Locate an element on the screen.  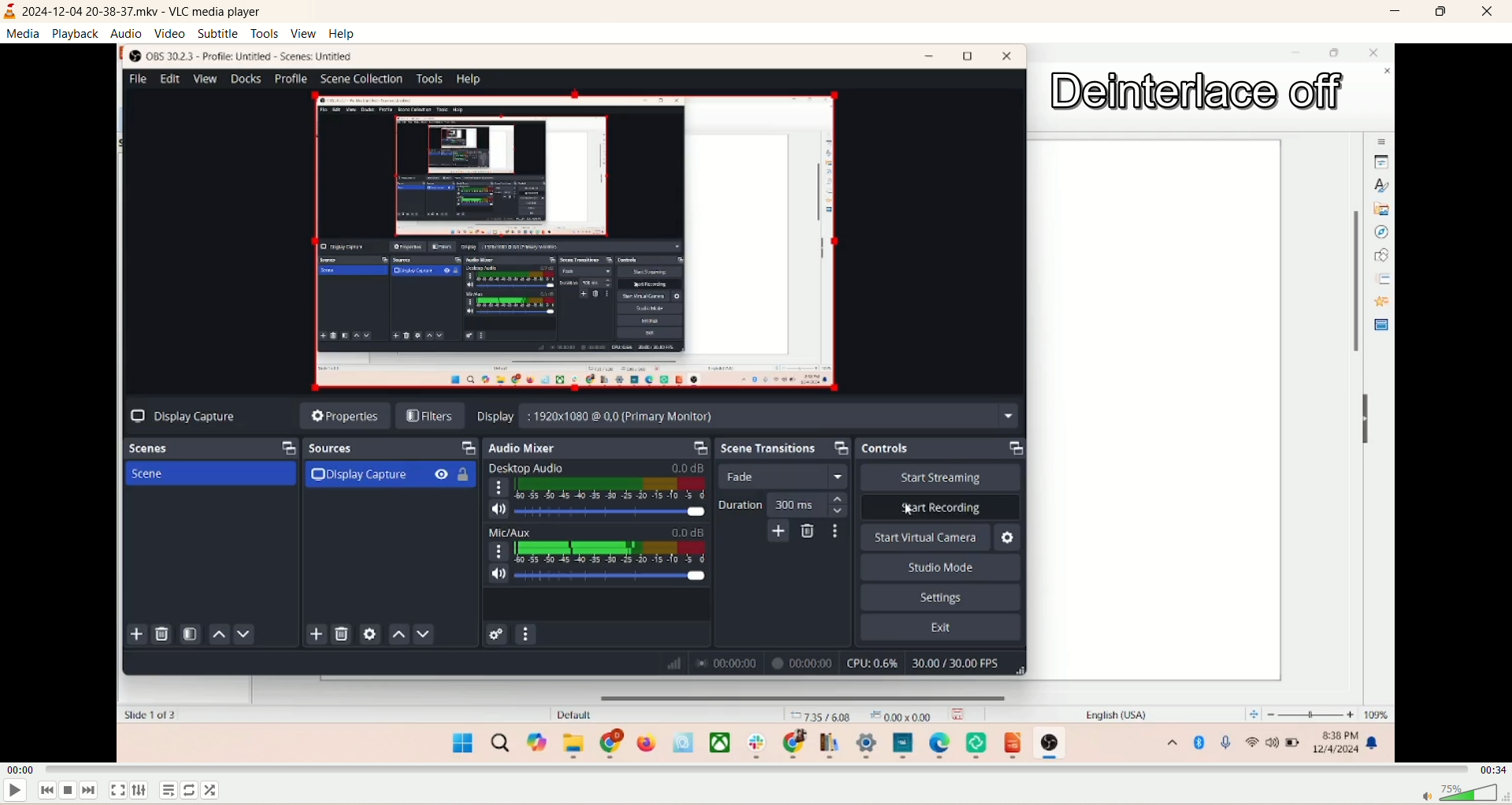
shuffle is located at coordinates (217, 791).